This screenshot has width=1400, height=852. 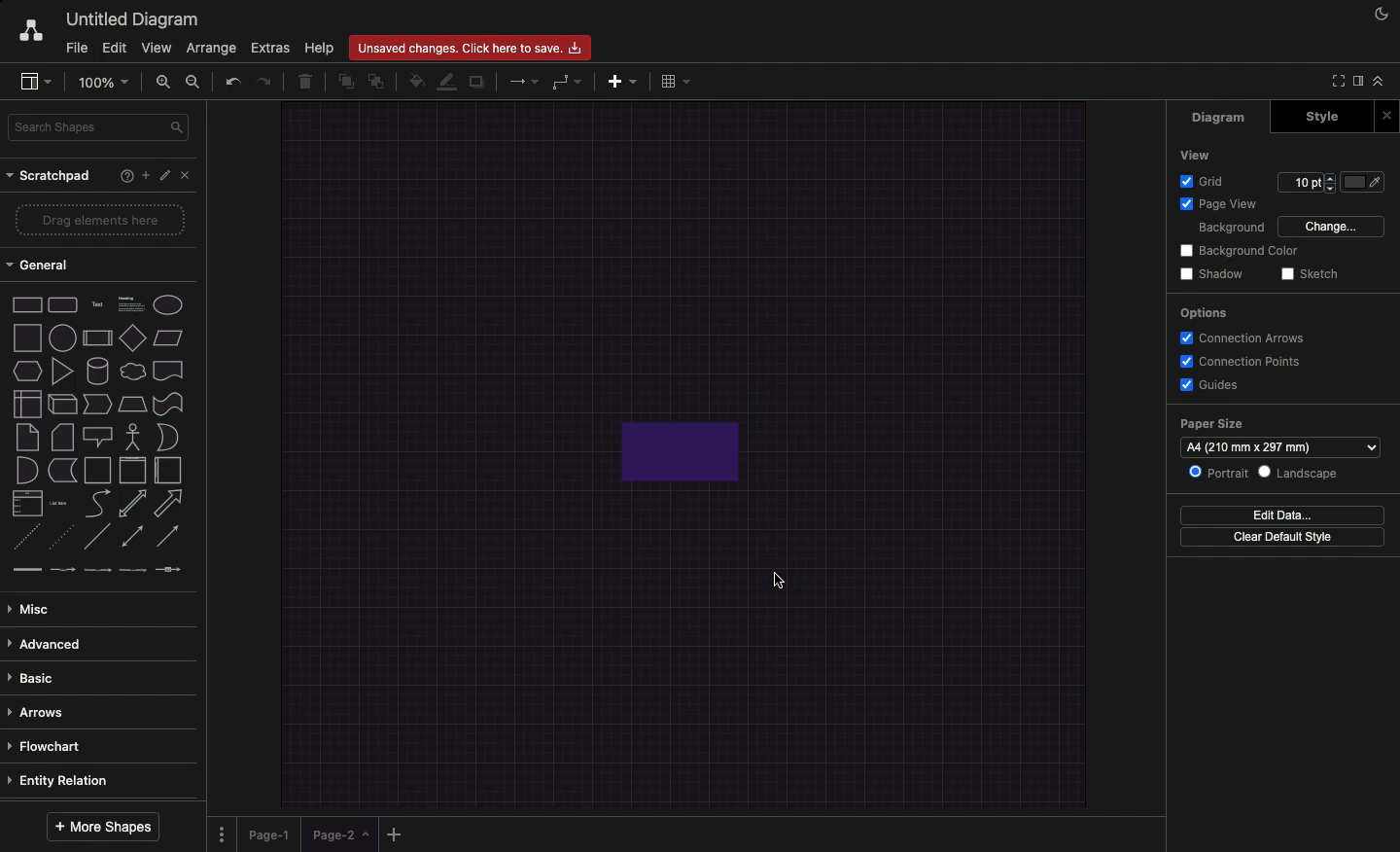 What do you see at coordinates (168, 371) in the screenshot?
I see `document` at bounding box center [168, 371].